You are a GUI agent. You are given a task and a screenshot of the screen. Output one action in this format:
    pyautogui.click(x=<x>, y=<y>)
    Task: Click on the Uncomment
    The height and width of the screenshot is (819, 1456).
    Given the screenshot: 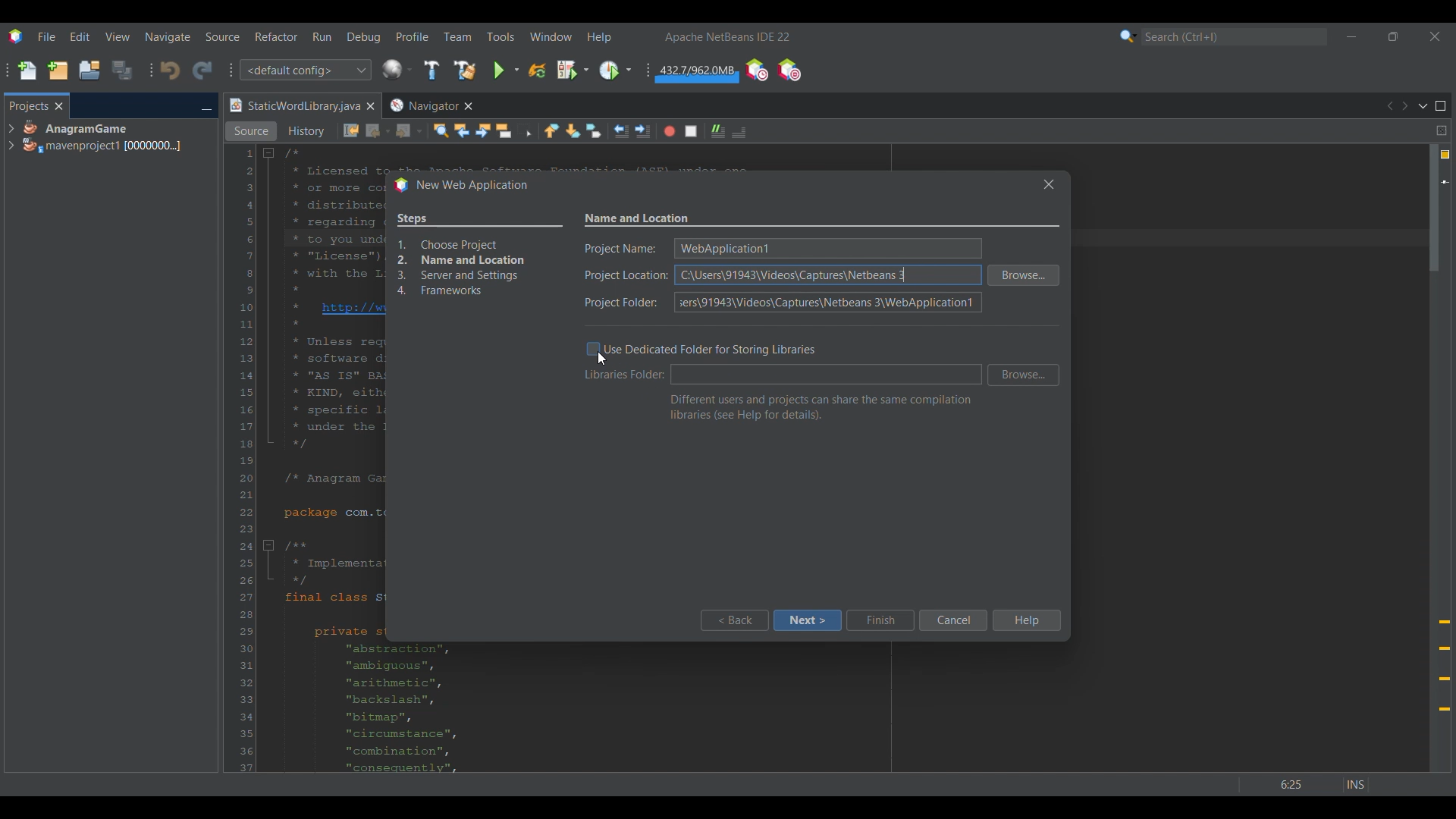 What is the action you would take?
    pyautogui.click(x=718, y=131)
    